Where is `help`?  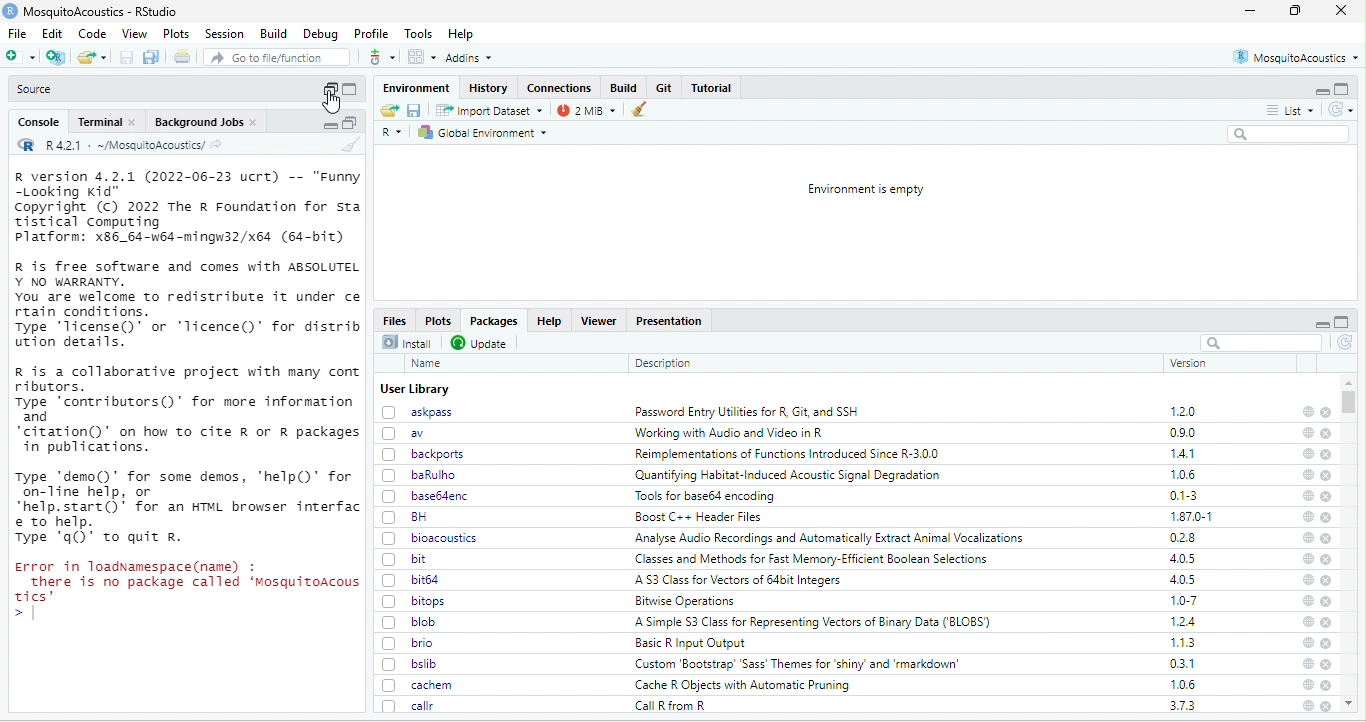
help is located at coordinates (1306, 558).